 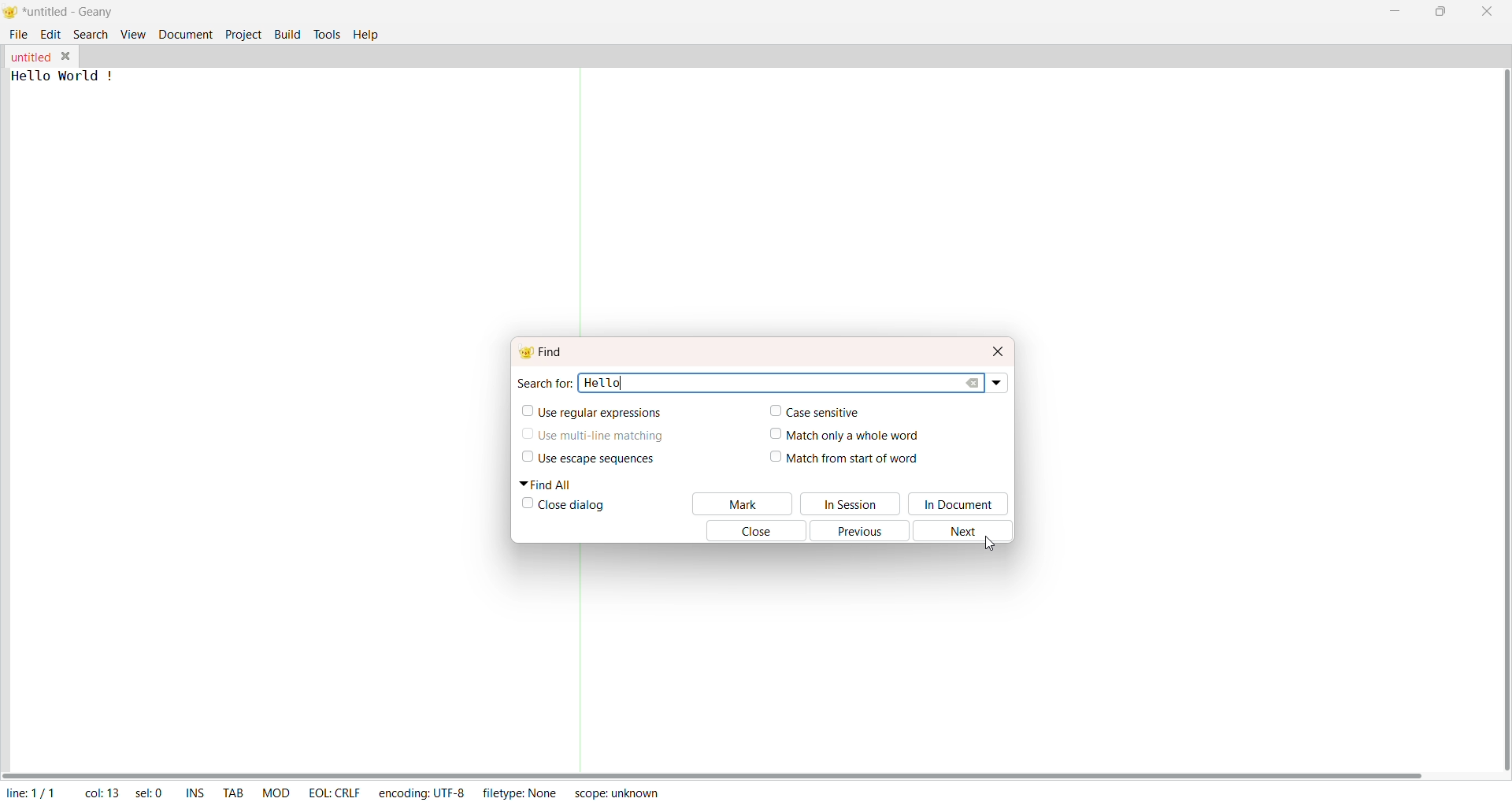 I want to click on Close, so click(x=1484, y=12).